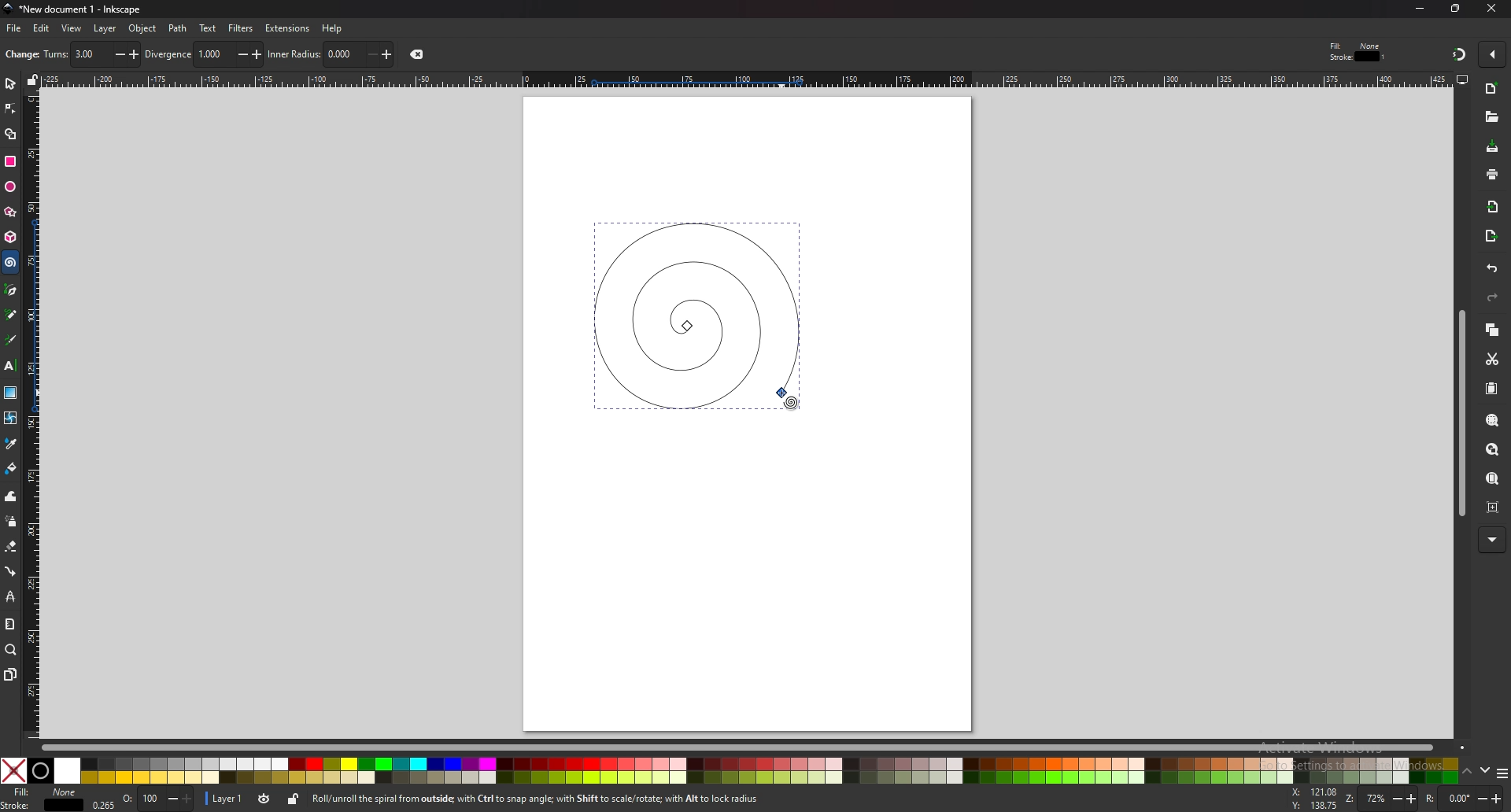 The image size is (1511, 812). Describe the element at coordinates (294, 801) in the screenshot. I see `lock` at that location.